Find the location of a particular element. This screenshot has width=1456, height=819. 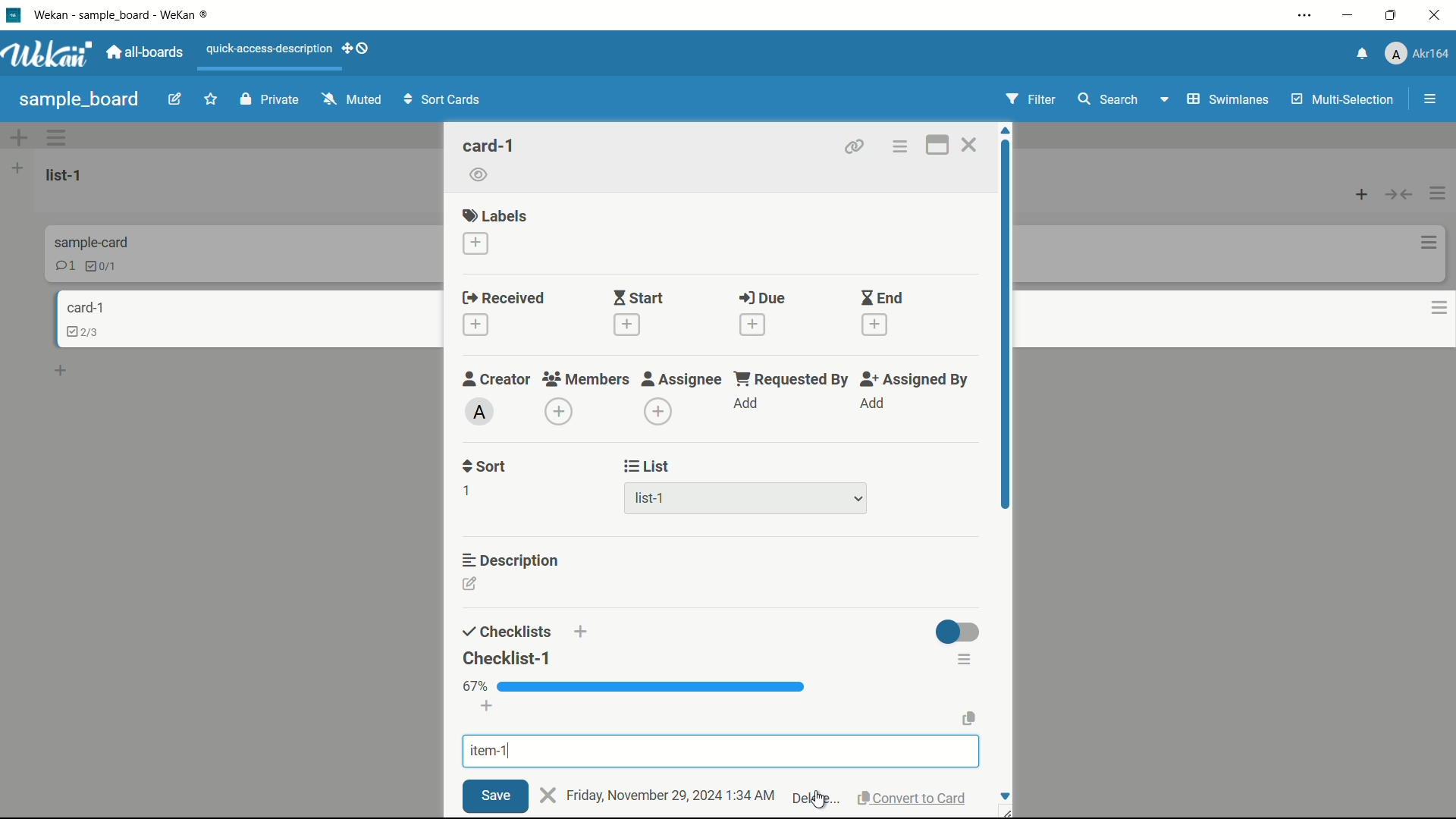

add date is located at coordinates (475, 325).